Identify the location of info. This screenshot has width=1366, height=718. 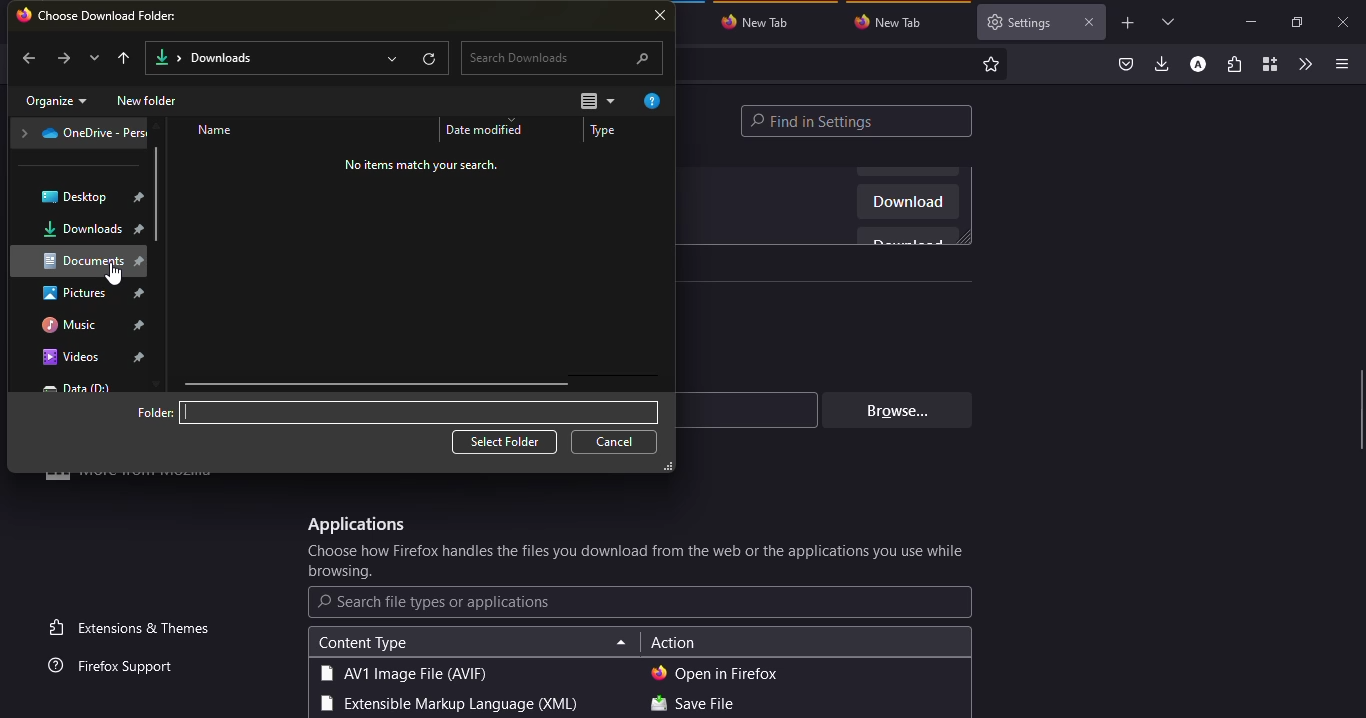
(422, 164).